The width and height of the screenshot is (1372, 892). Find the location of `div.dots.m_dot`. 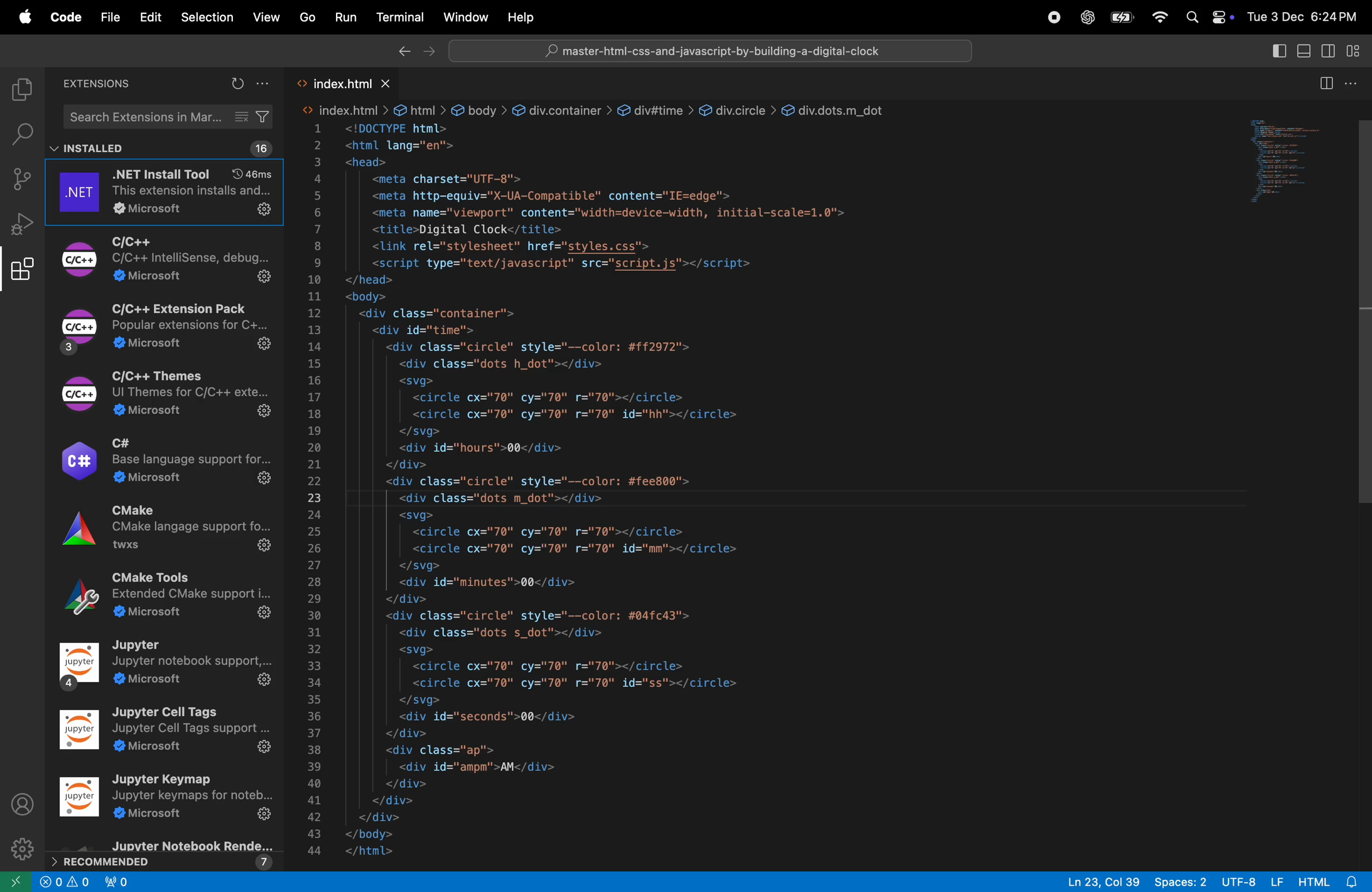

div.dots.m_dot is located at coordinates (830, 108).